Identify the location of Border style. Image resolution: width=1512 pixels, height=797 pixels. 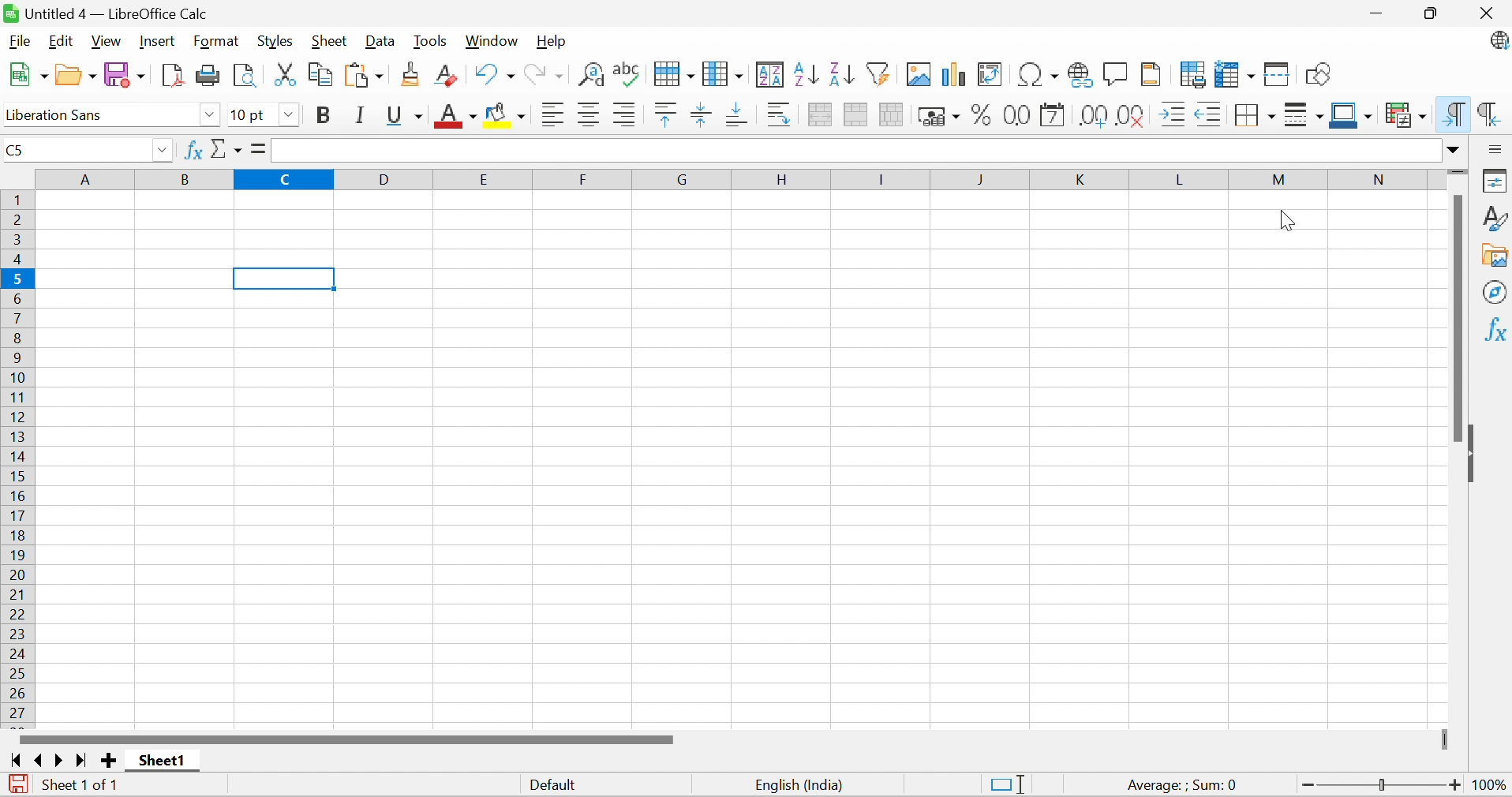
(1305, 118).